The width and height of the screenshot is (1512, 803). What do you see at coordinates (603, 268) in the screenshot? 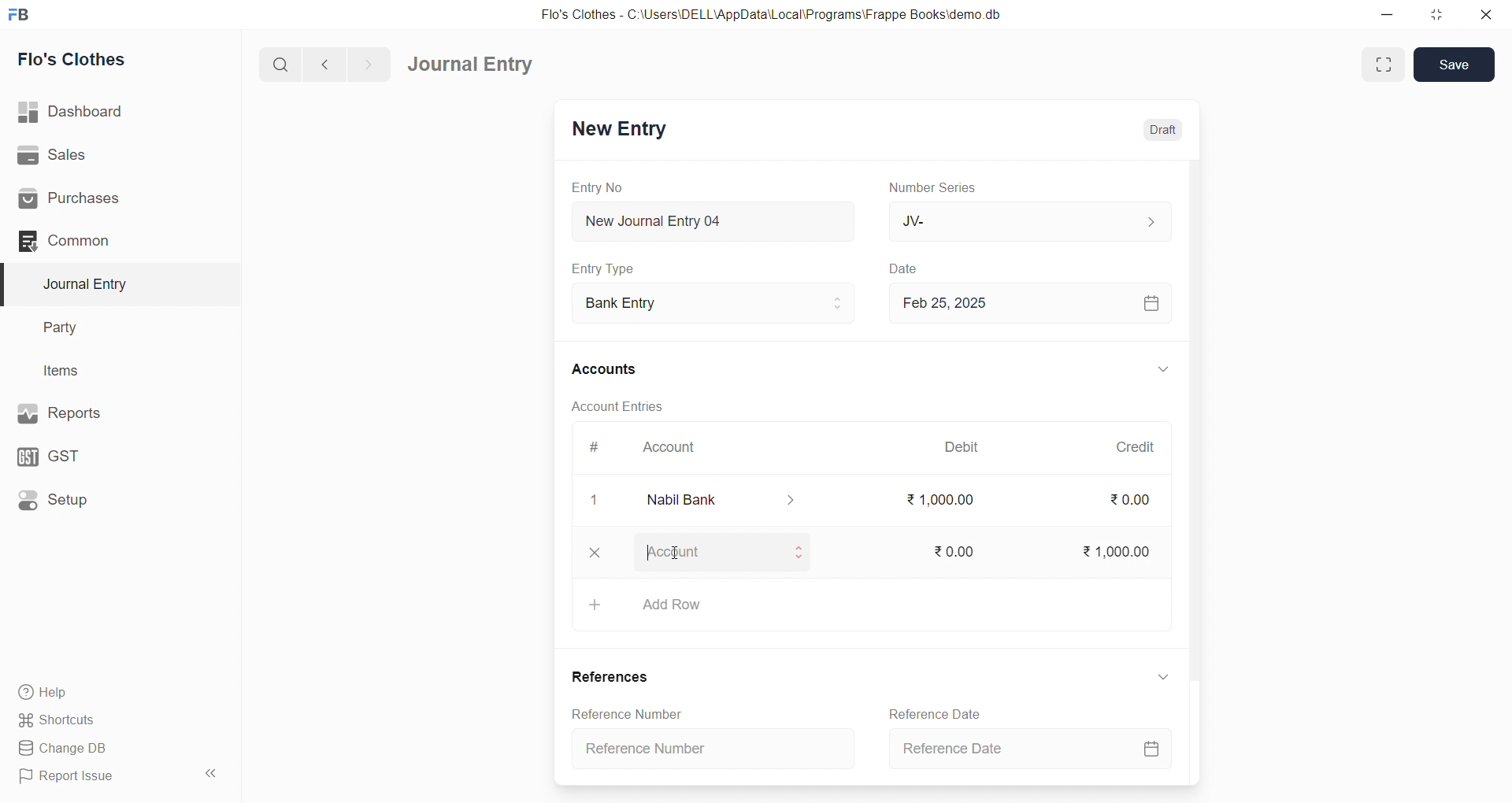
I see `Entry Type` at bounding box center [603, 268].